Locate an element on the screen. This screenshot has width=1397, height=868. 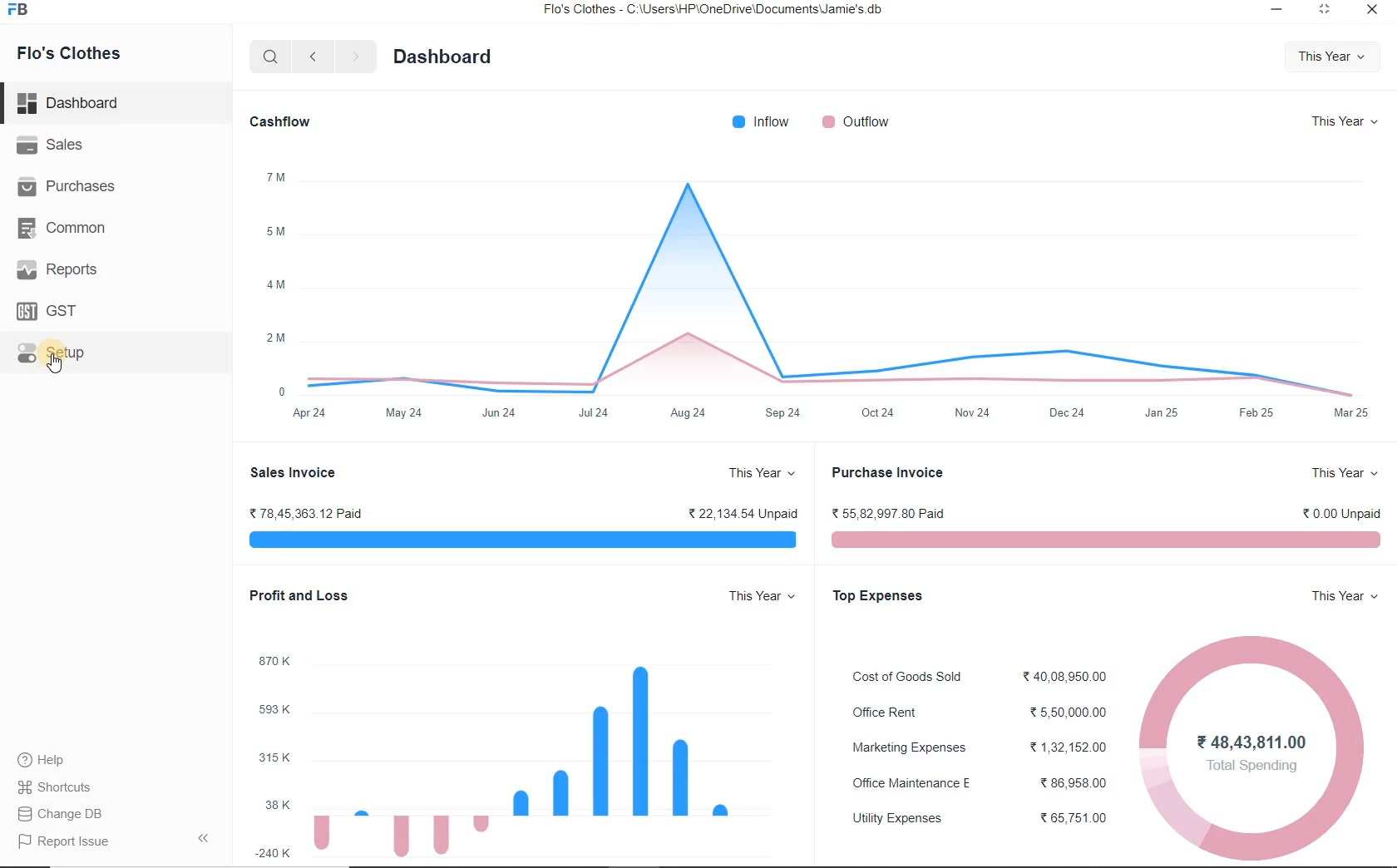
Office Maintenance E is located at coordinates (913, 782).